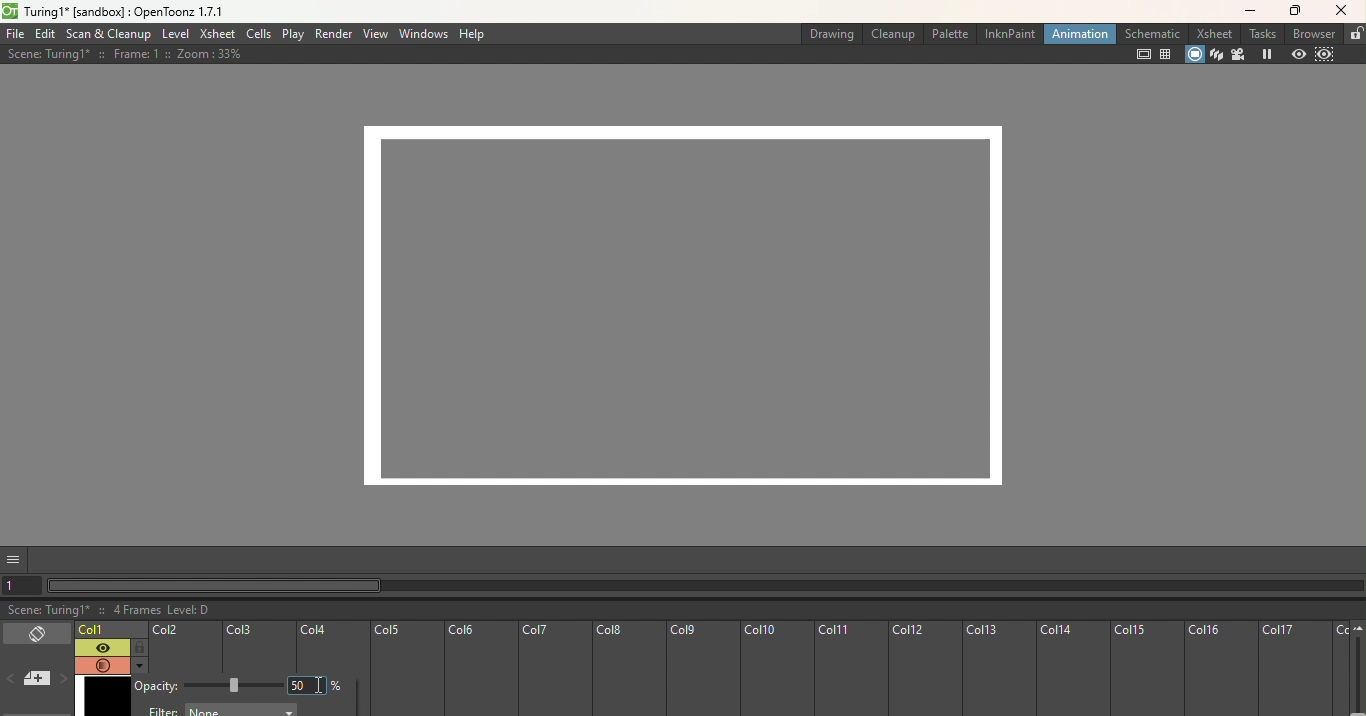 Image resolution: width=1366 pixels, height=716 pixels. I want to click on Scan & Cleanup, so click(109, 34).